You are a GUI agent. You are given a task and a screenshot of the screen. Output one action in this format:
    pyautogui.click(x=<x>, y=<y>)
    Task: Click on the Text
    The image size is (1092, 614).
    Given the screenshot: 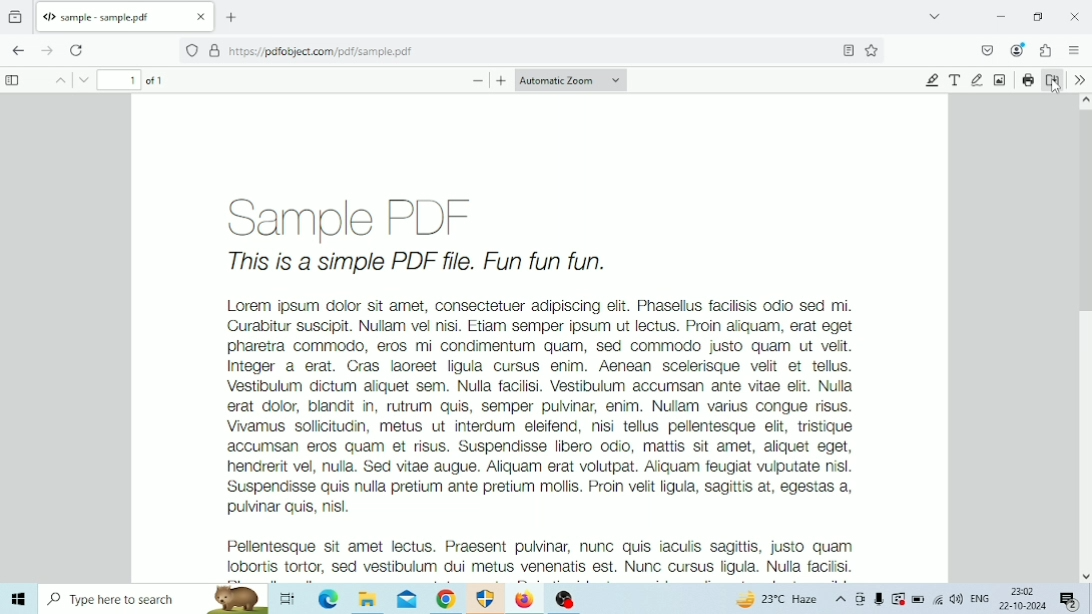 What is the action you would take?
    pyautogui.click(x=956, y=80)
    